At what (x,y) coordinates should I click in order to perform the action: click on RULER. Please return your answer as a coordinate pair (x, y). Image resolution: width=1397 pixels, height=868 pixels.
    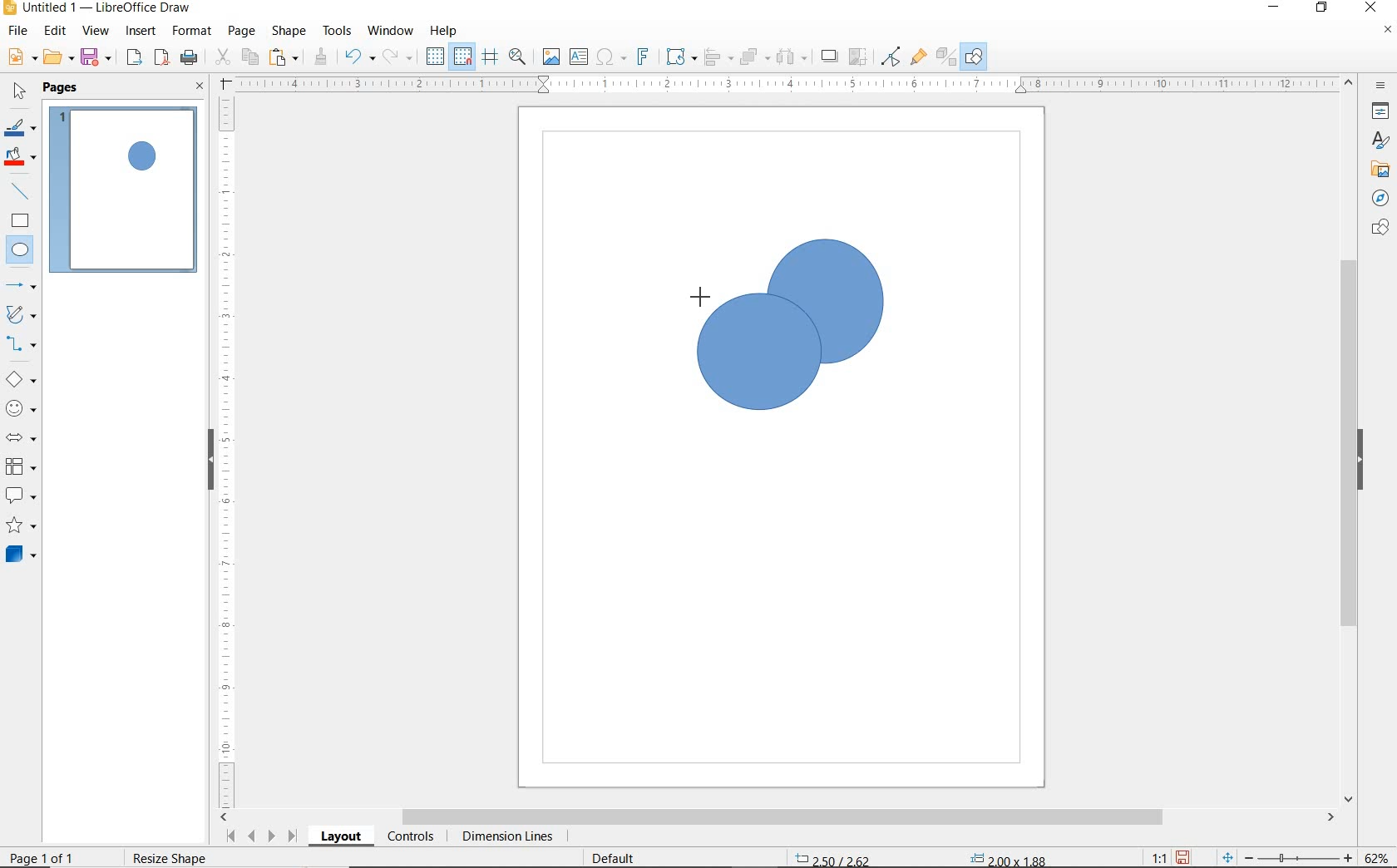
    Looking at the image, I should click on (228, 450).